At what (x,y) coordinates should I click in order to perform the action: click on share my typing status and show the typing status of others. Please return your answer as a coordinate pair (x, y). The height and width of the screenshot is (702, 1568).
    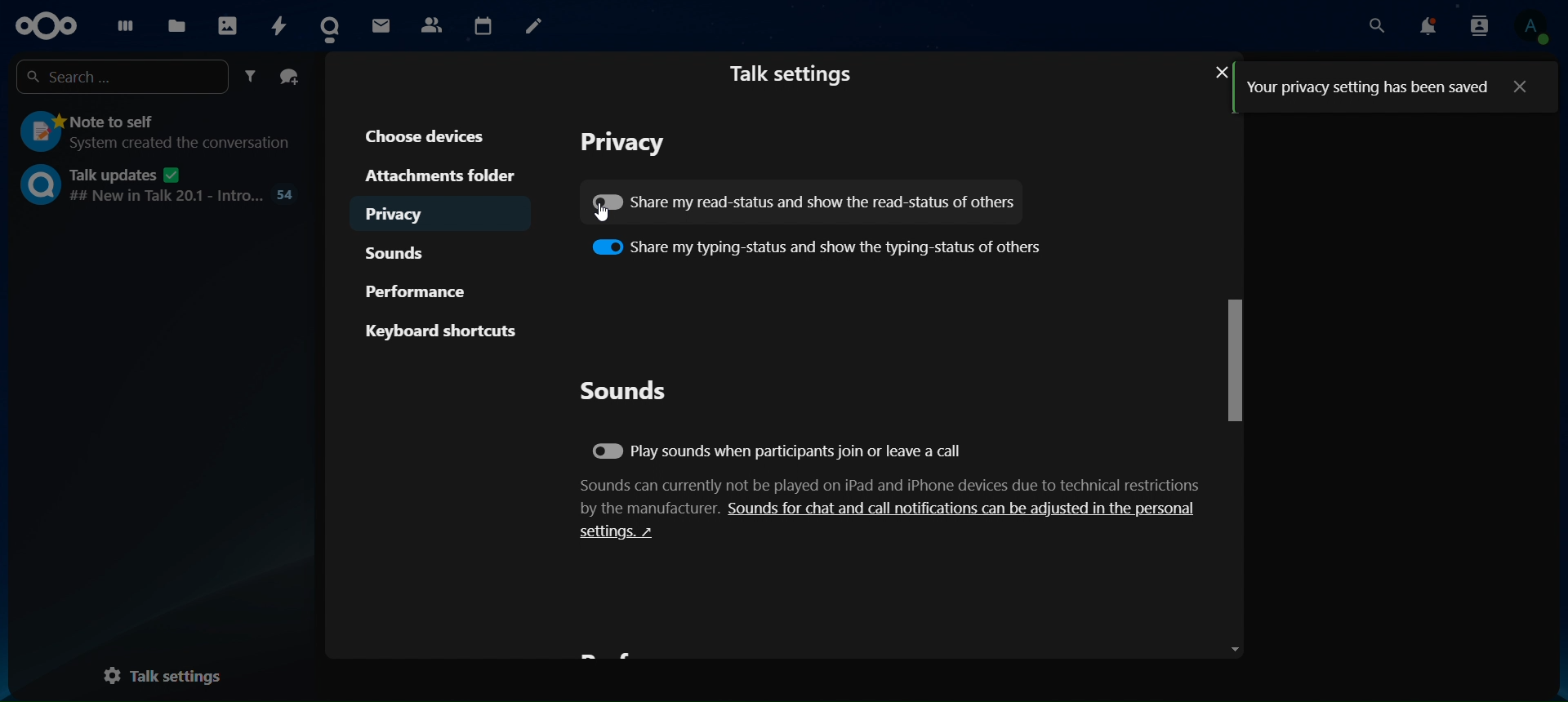
    Looking at the image, I should click on (817, 245).